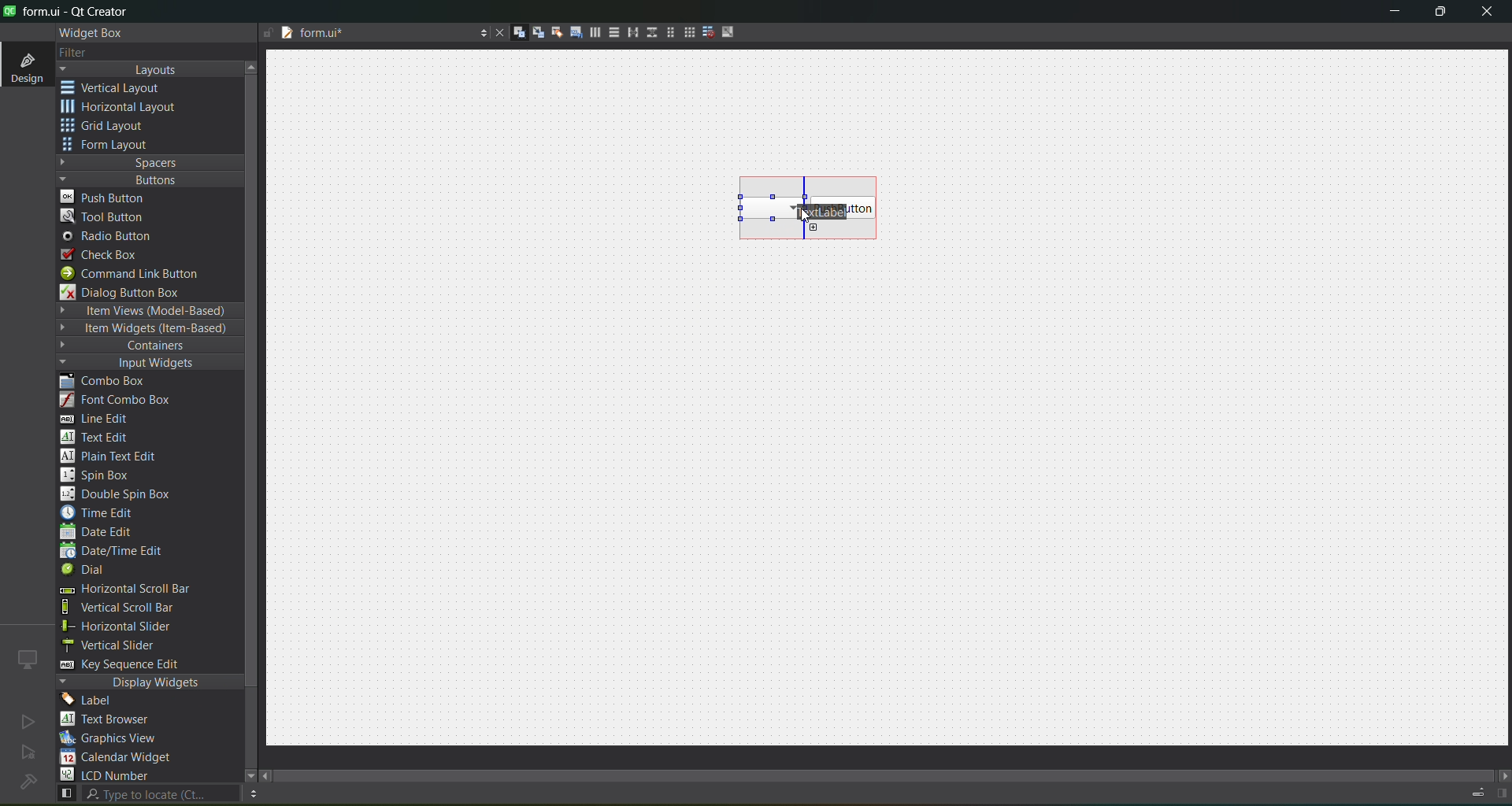 The width and height of the screenshot is (1512, 806). I want to click on edit tab, so click(570, 35).